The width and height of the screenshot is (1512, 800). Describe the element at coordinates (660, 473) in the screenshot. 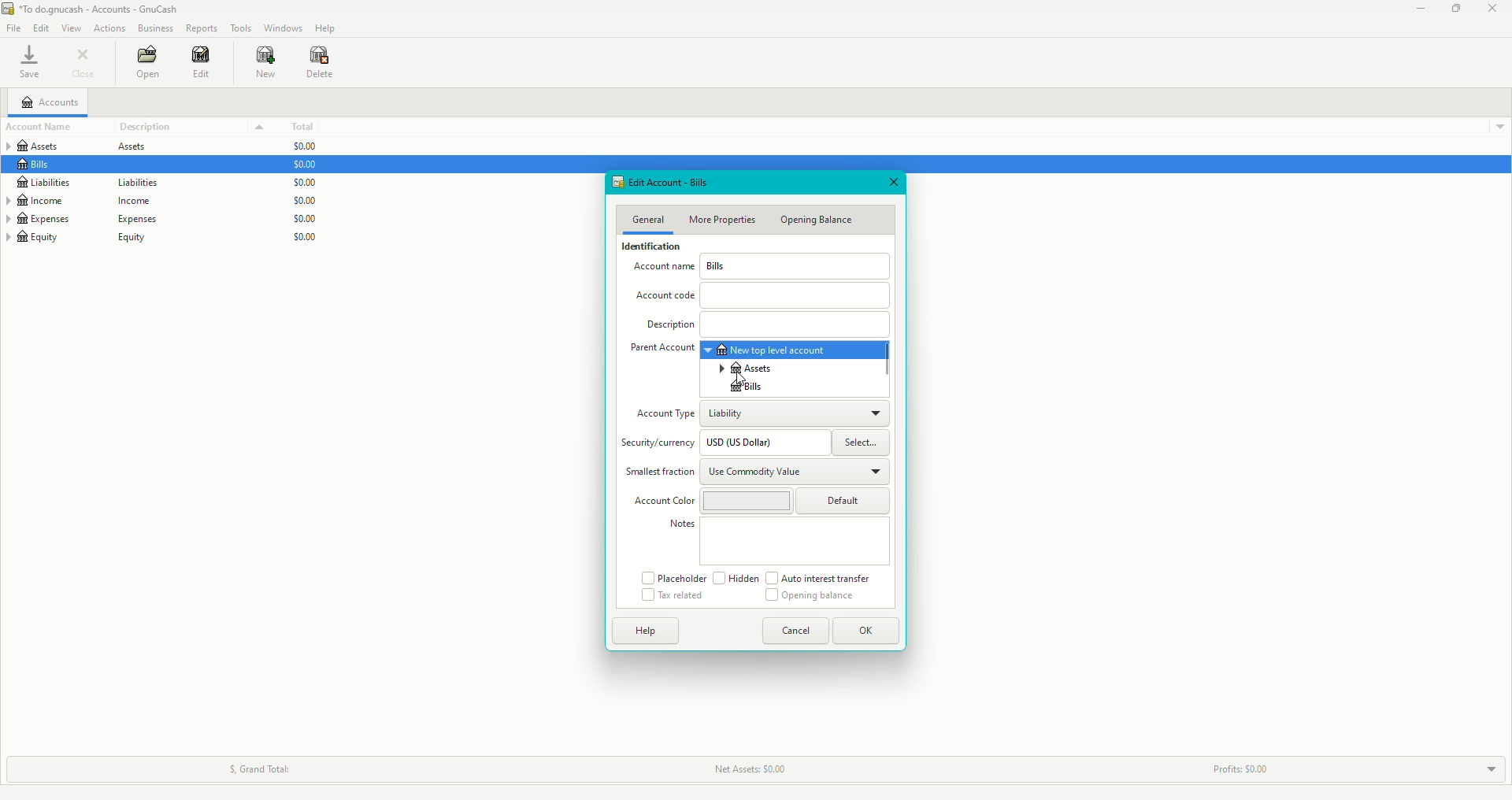

I see `Smallest fraction` at that location.